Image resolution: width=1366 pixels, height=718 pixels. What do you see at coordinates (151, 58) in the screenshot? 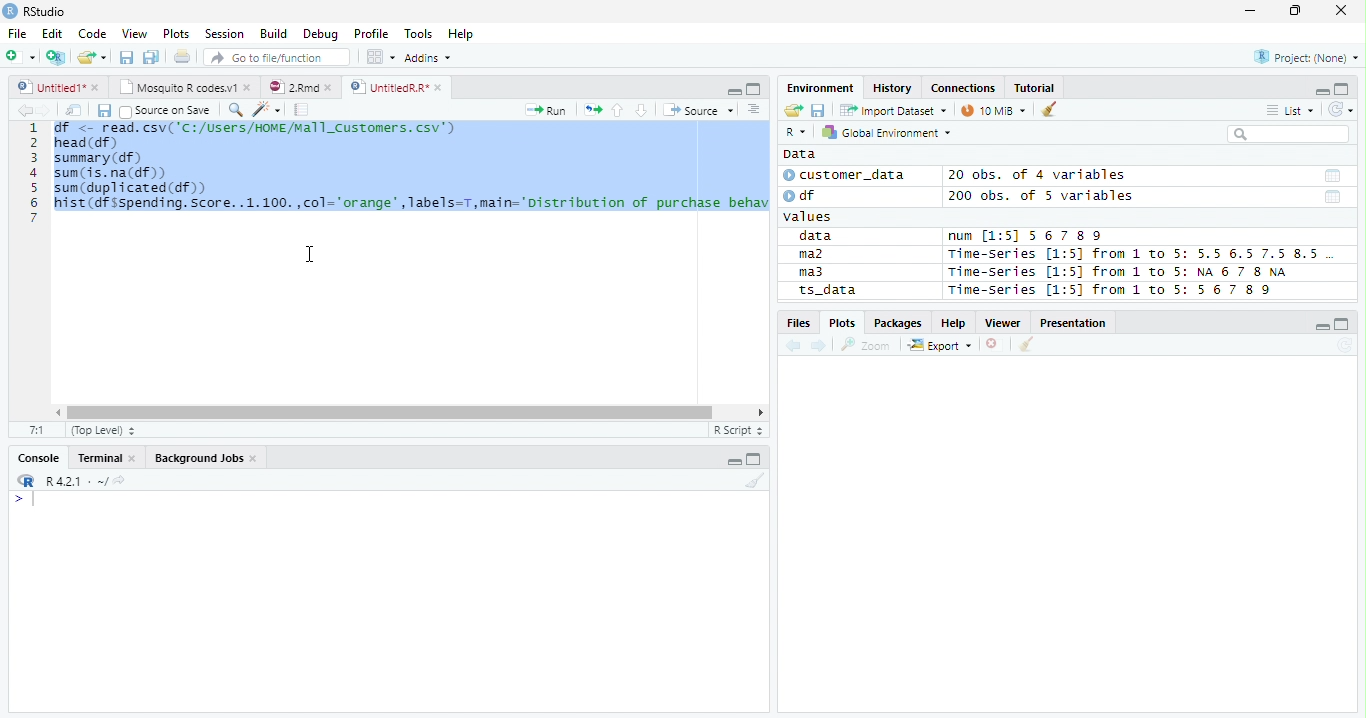
I see `Save all open documents` at bounding box center [151, 58].